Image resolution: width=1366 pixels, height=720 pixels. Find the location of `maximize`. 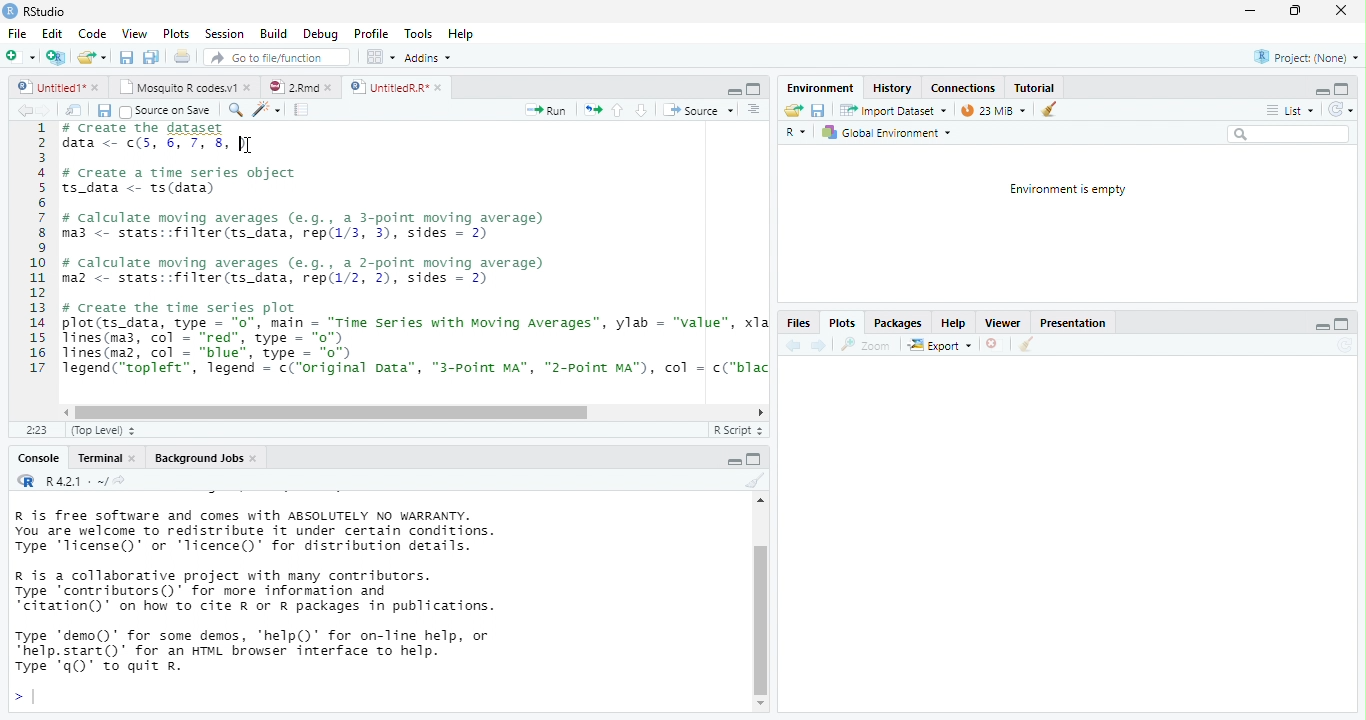

maximize is located at coordinates (1340, 325).